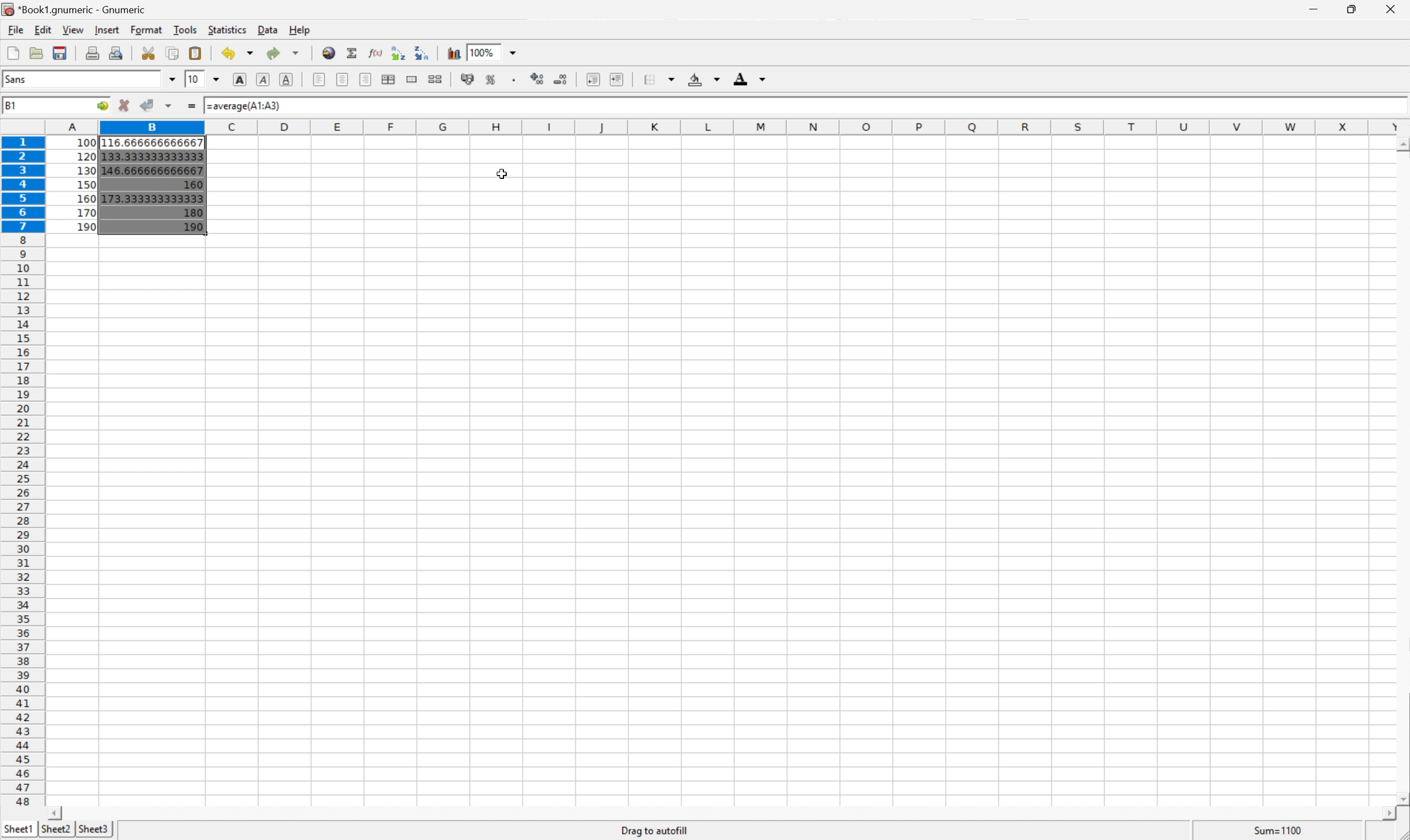  What do you see at coordinates (148, 53) in the screenshot?
I see `Cut selection` at bounding box center [148, 53].